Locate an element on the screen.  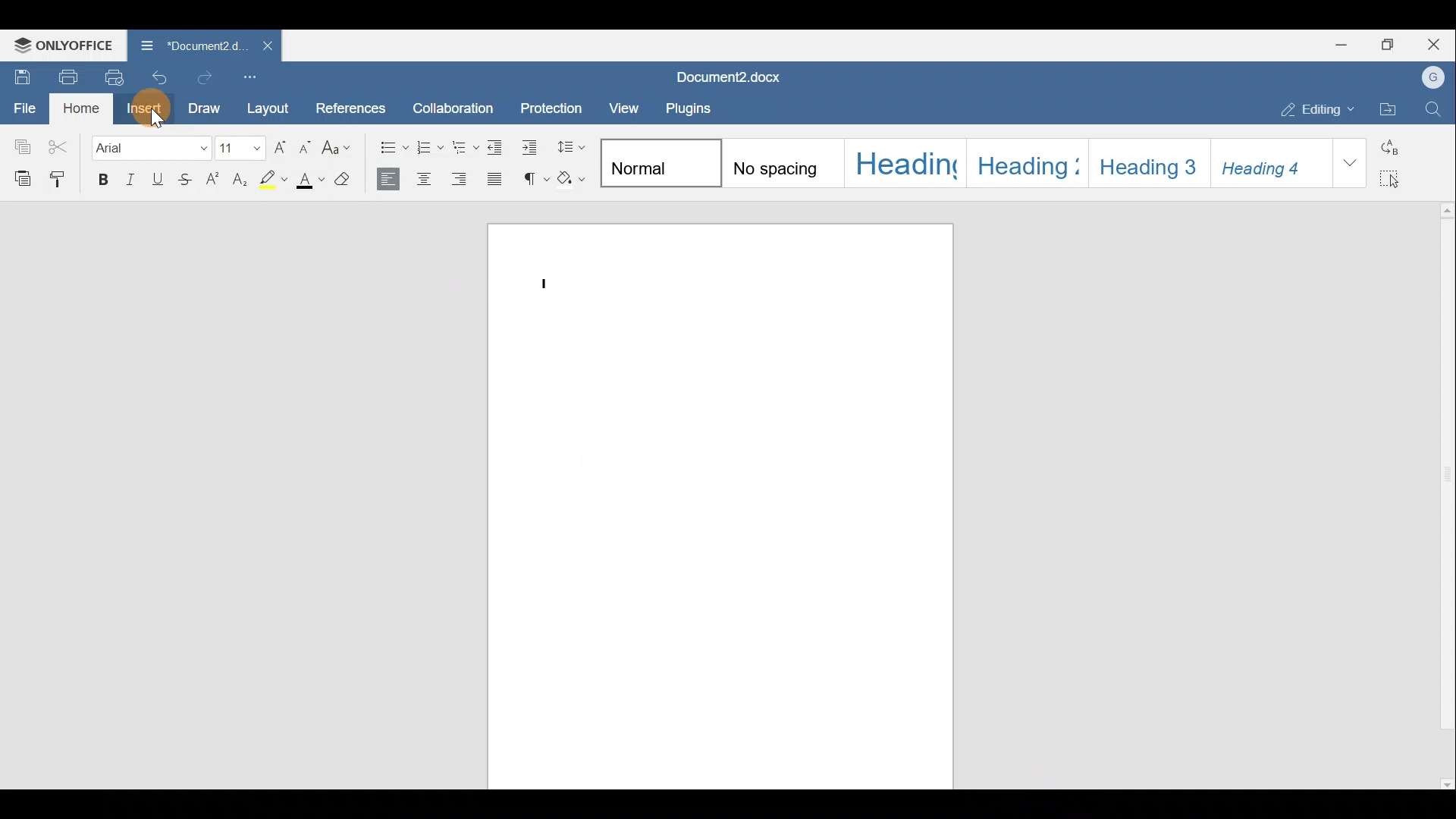
Collaboration is located at coordinates (450, 107).